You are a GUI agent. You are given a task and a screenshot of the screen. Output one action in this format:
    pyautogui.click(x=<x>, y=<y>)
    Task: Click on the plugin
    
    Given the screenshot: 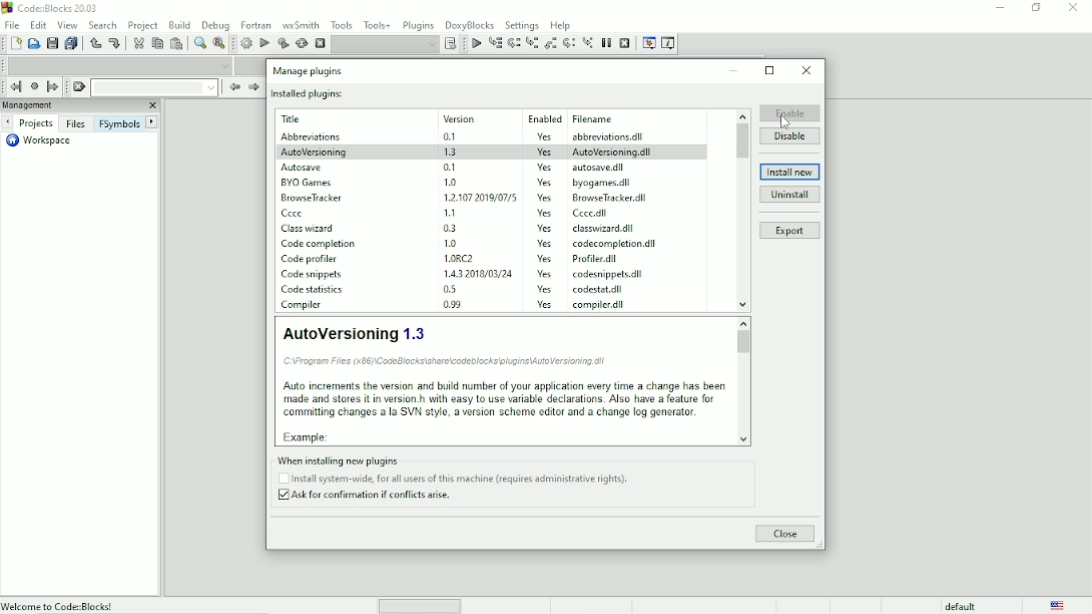 What is the action you would take?
    pyautogui.click(x=311, y=197)
    